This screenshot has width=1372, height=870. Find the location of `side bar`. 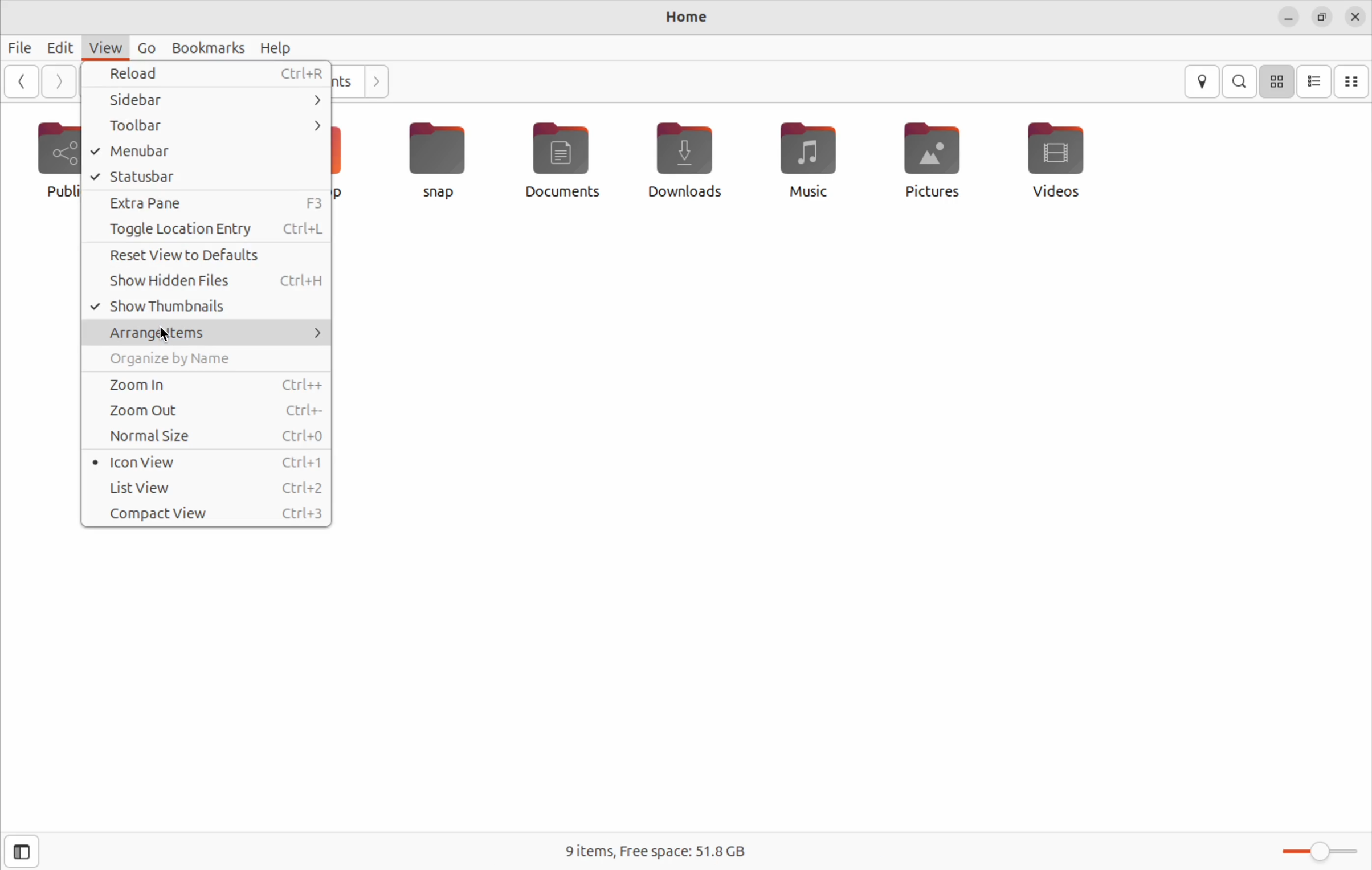

side bar is located at coordinates (207, 100).